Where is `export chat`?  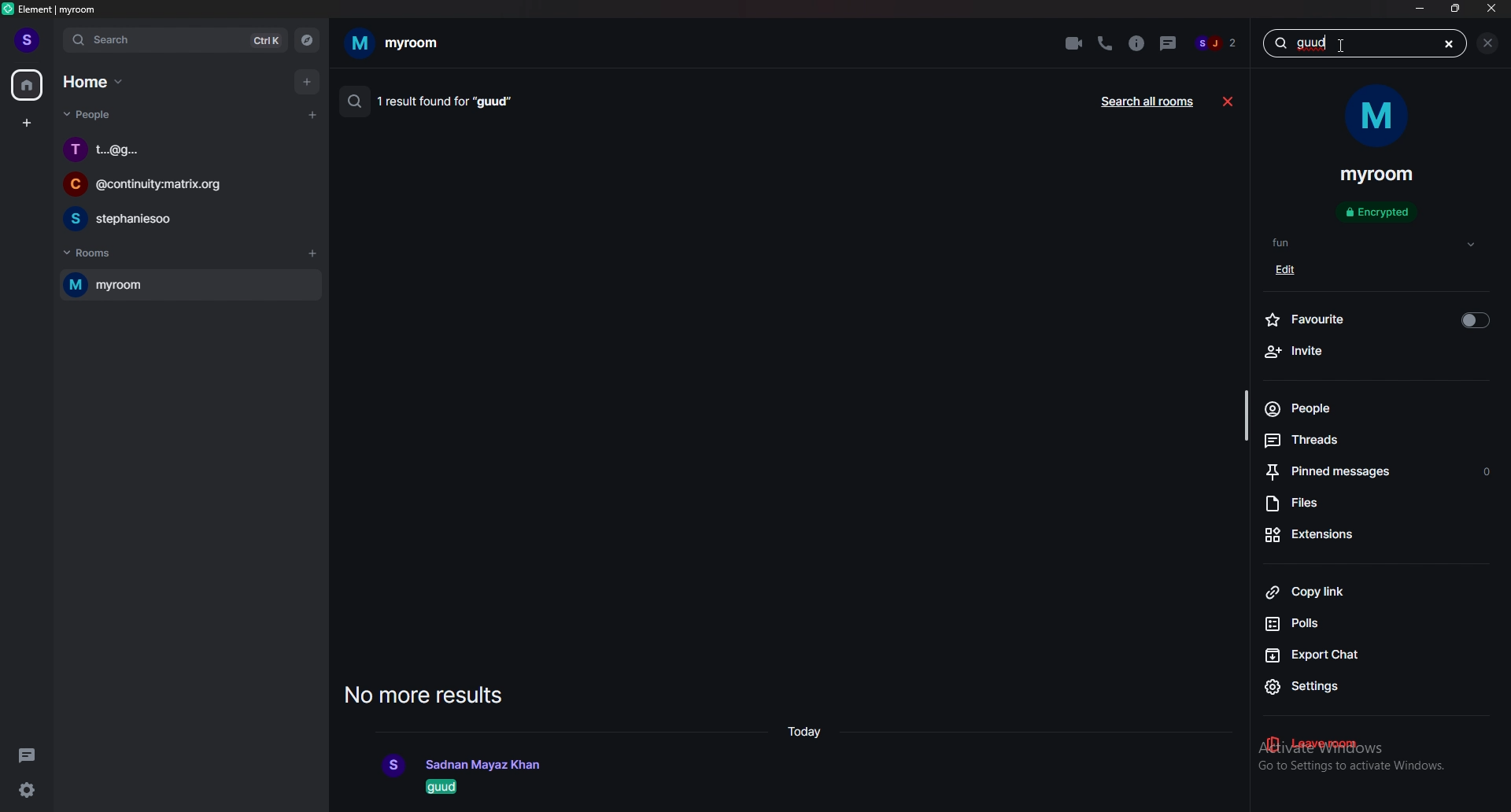 export chat is located at coordinates (1347, 656).